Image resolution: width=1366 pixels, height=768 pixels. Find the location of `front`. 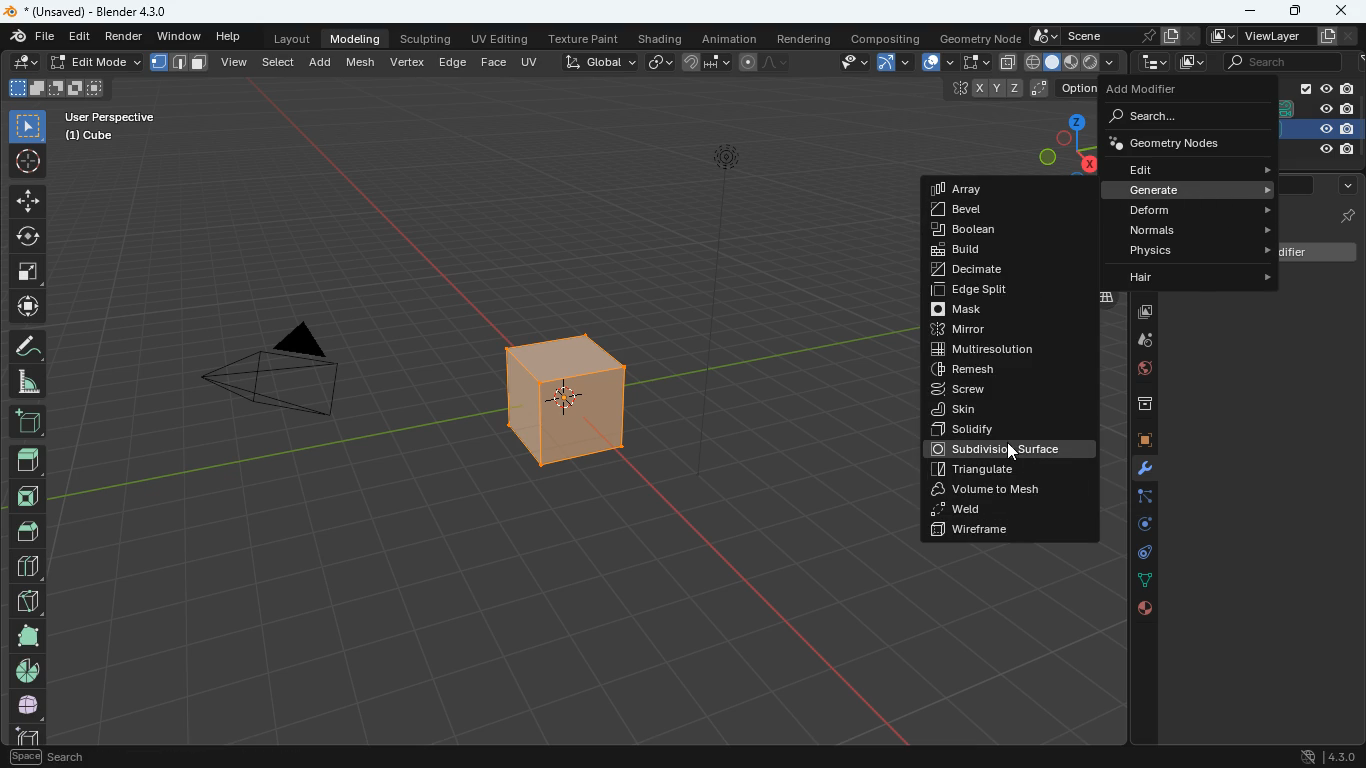

front is located at coordinates (28, 500).